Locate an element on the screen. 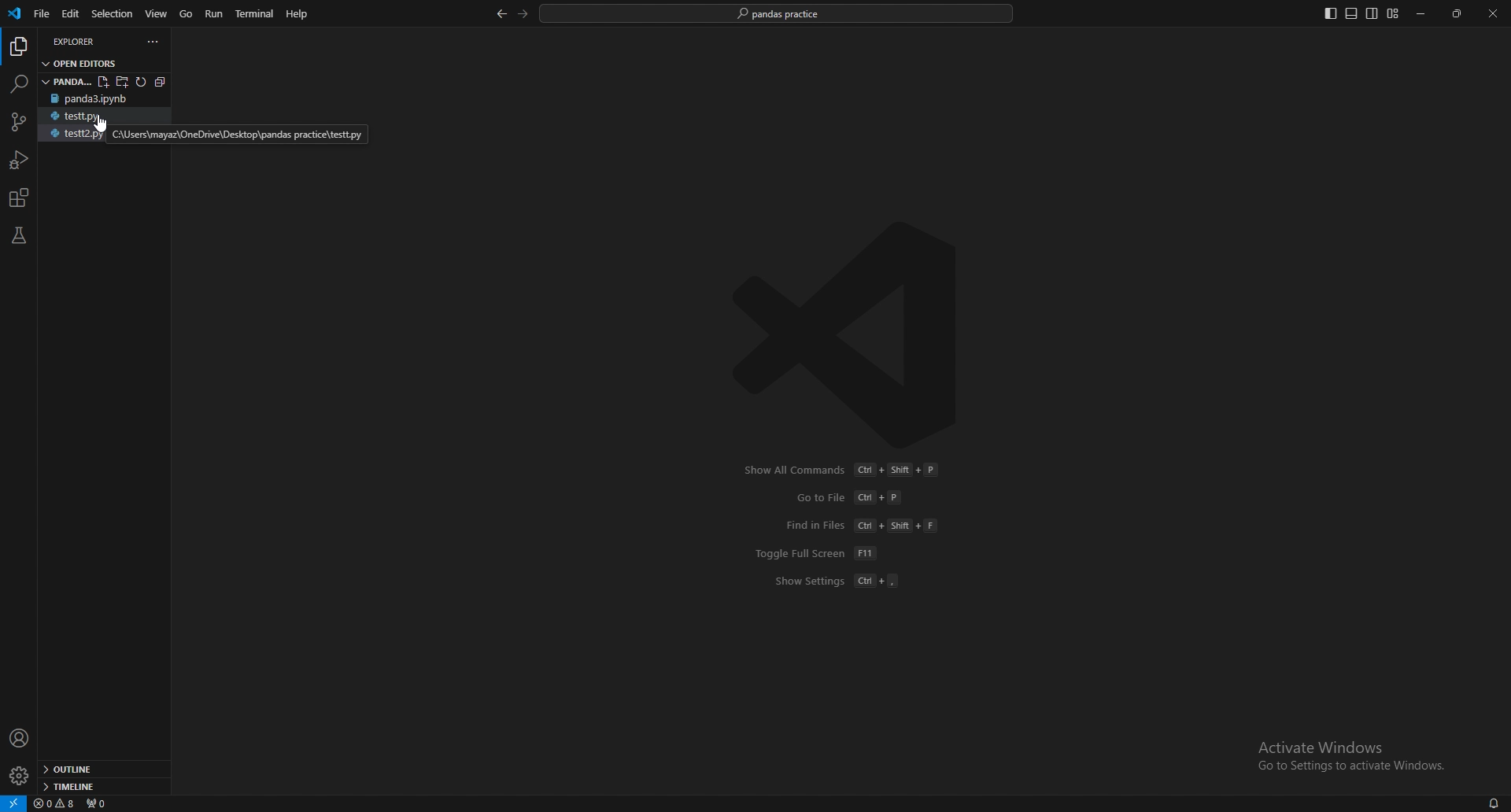 The height and width of the screenshot is (812, 1511). settings is located at coordinates (20, 776).